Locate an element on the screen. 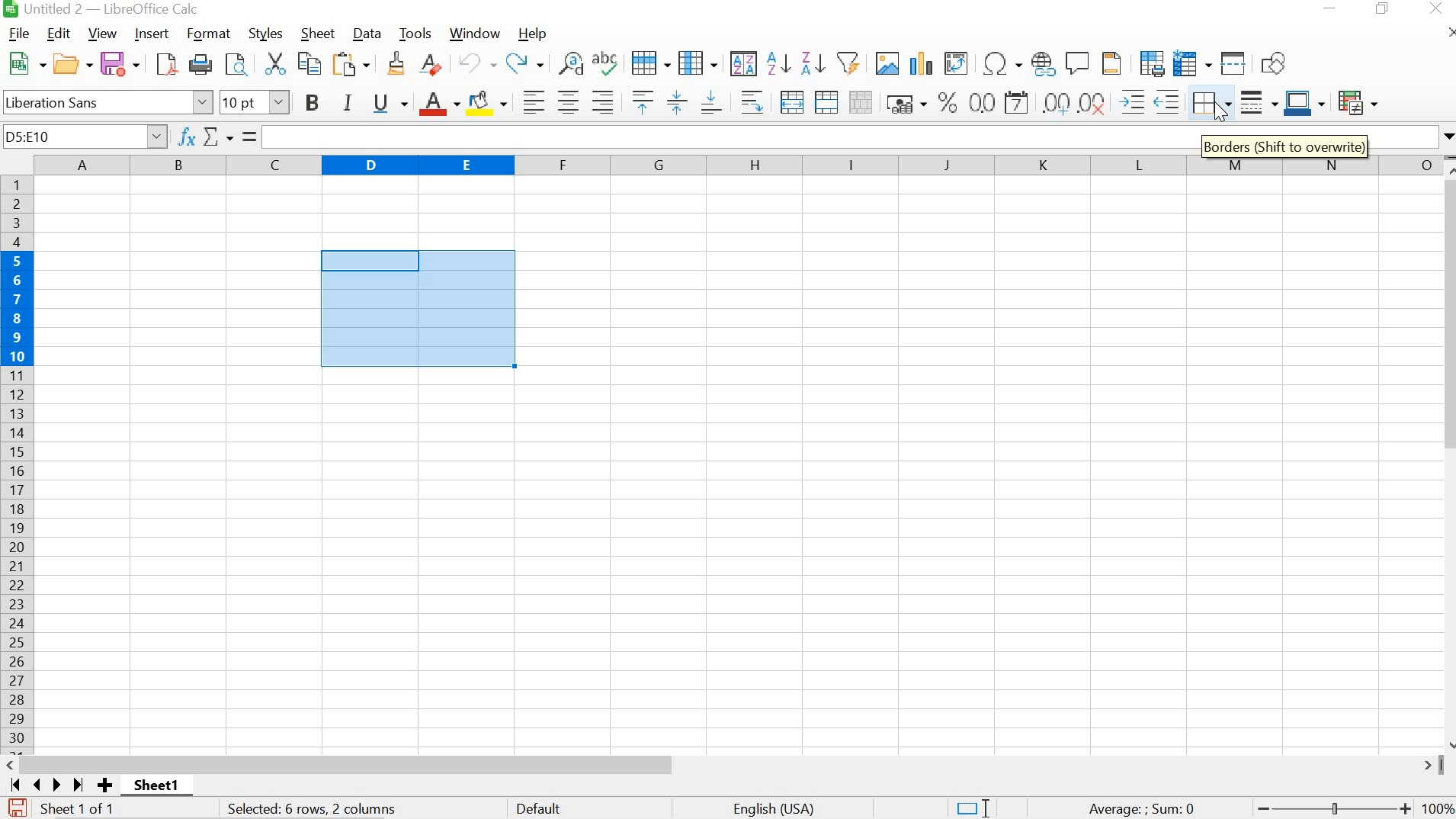 This screenshot has height=819, width=1456. NEW is located at coordinates (25, 62).